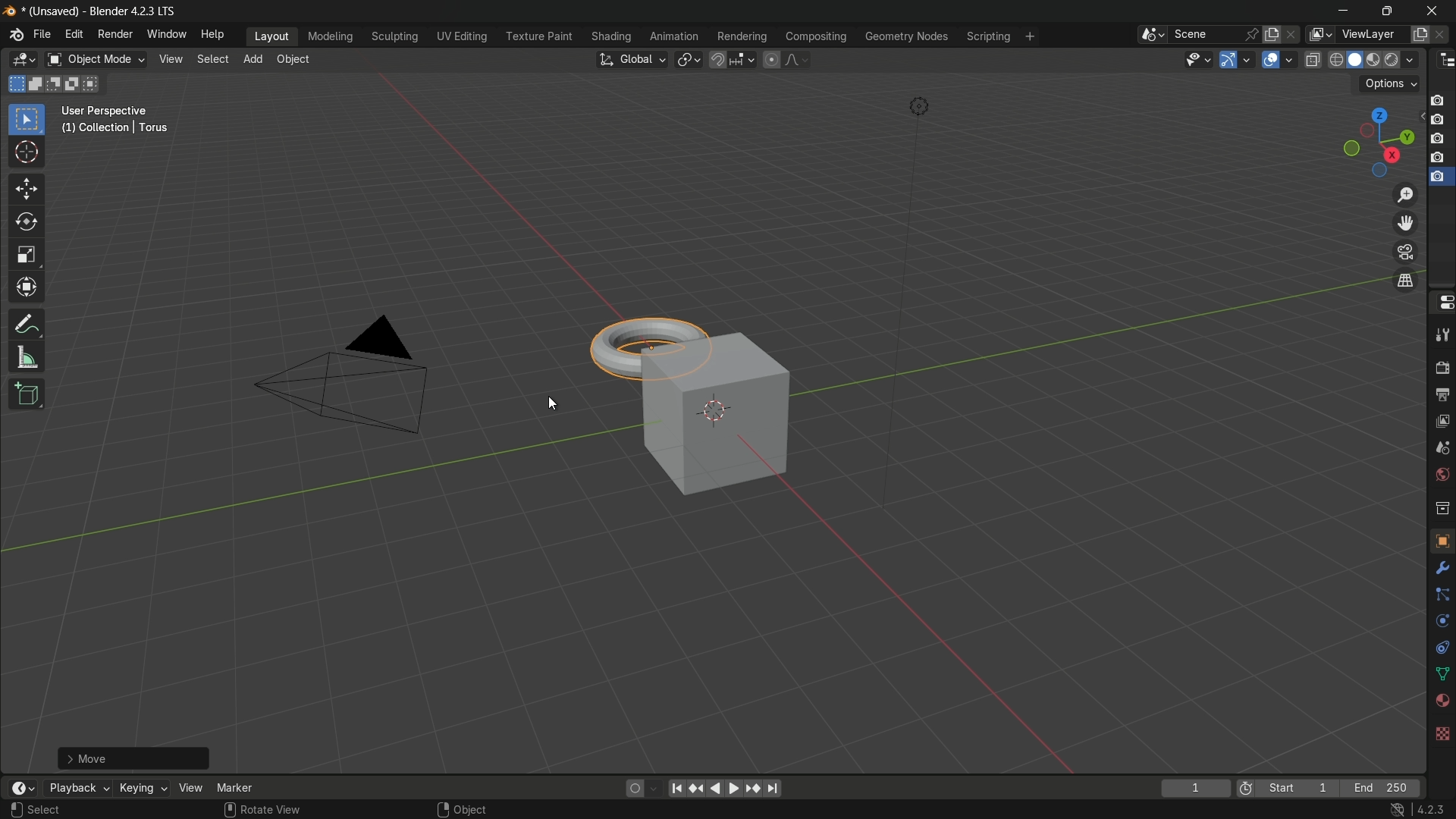 The height and width of the screenshot is (819, 1456). I want to click on move the view, so click(1404, 224).